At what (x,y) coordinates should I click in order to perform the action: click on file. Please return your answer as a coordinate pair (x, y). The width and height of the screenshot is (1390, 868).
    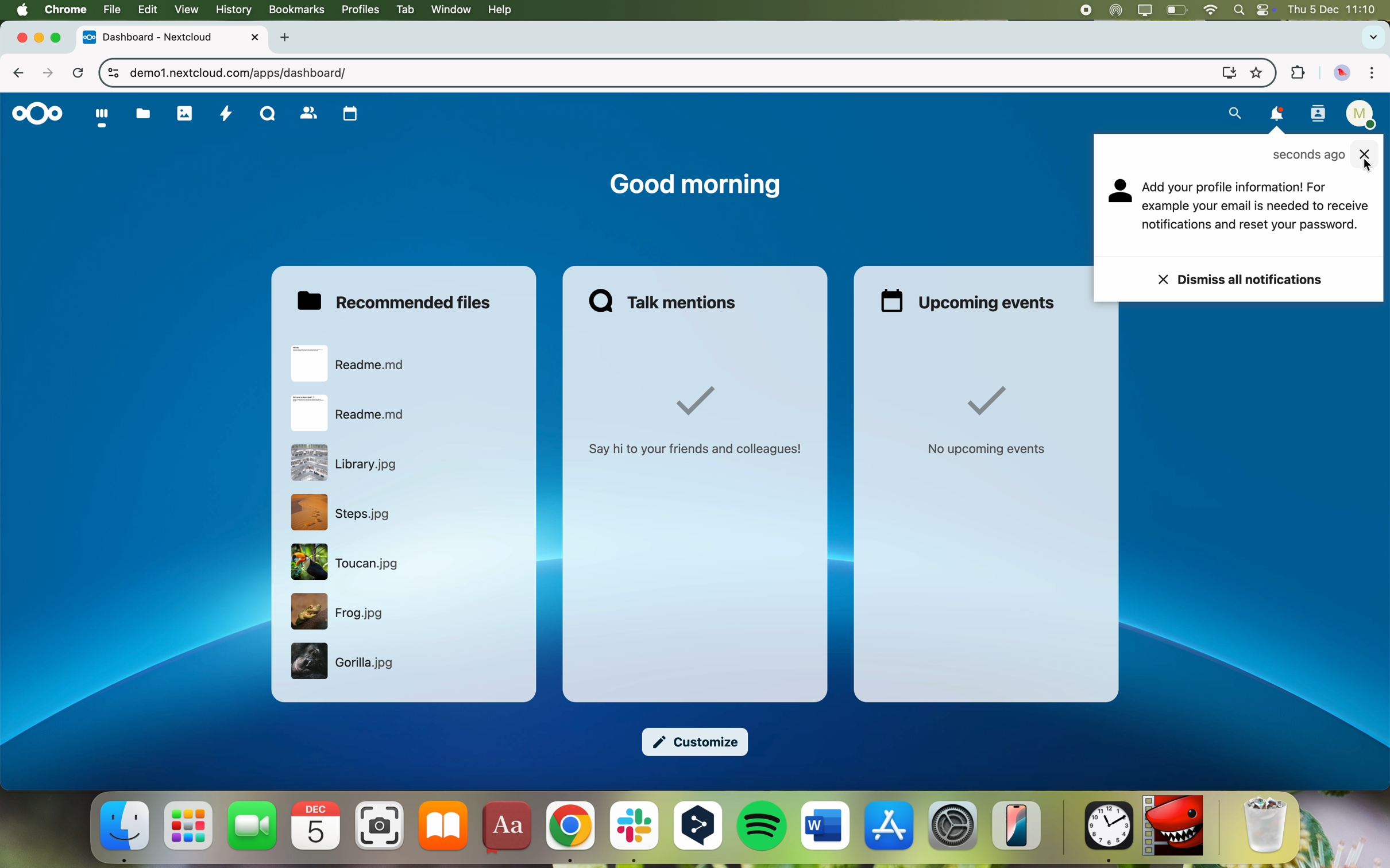
    Looking at the image, I should click on (110, 10).